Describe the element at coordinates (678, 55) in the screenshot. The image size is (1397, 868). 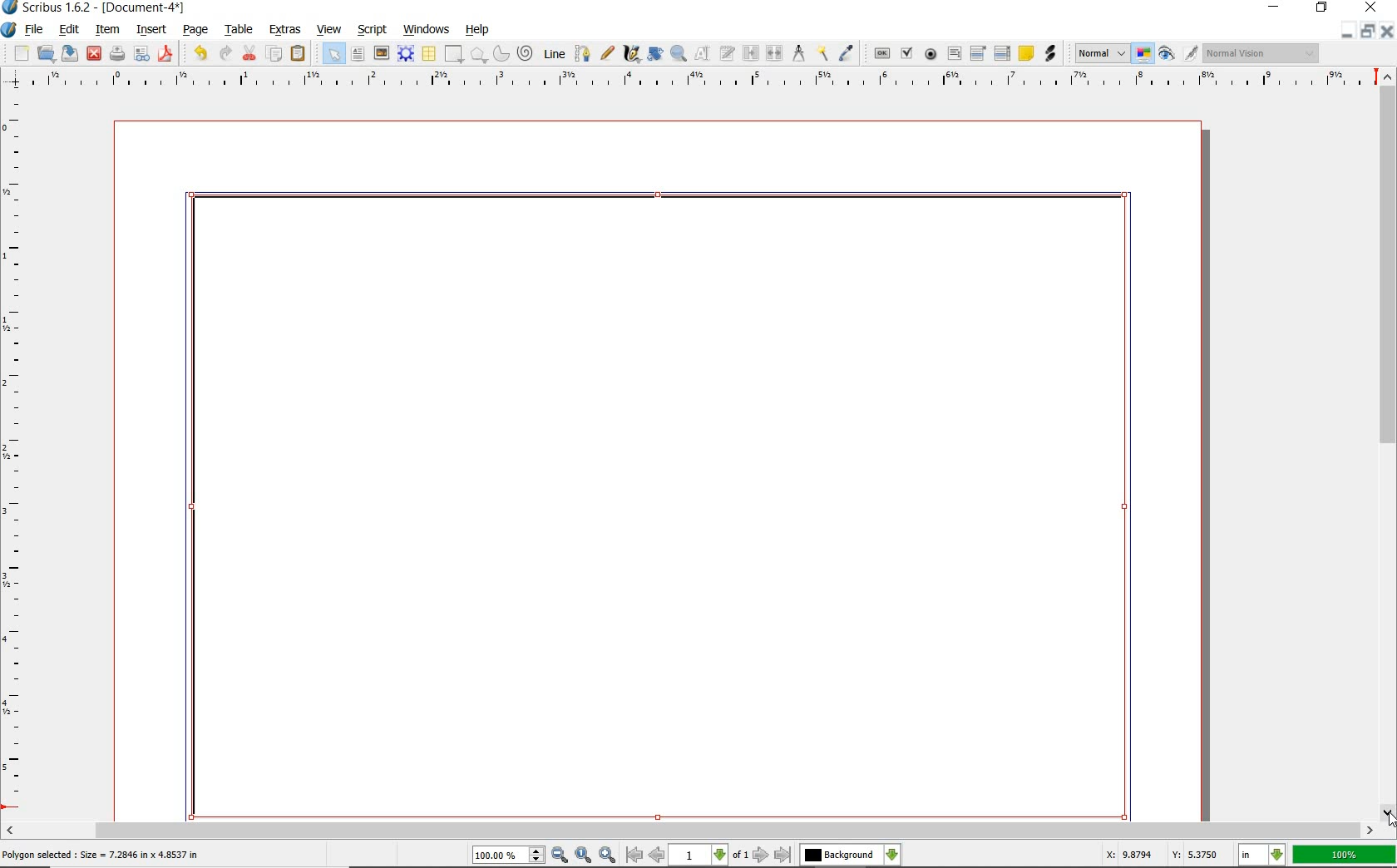
I see `zoom in or zoom out` at that location.